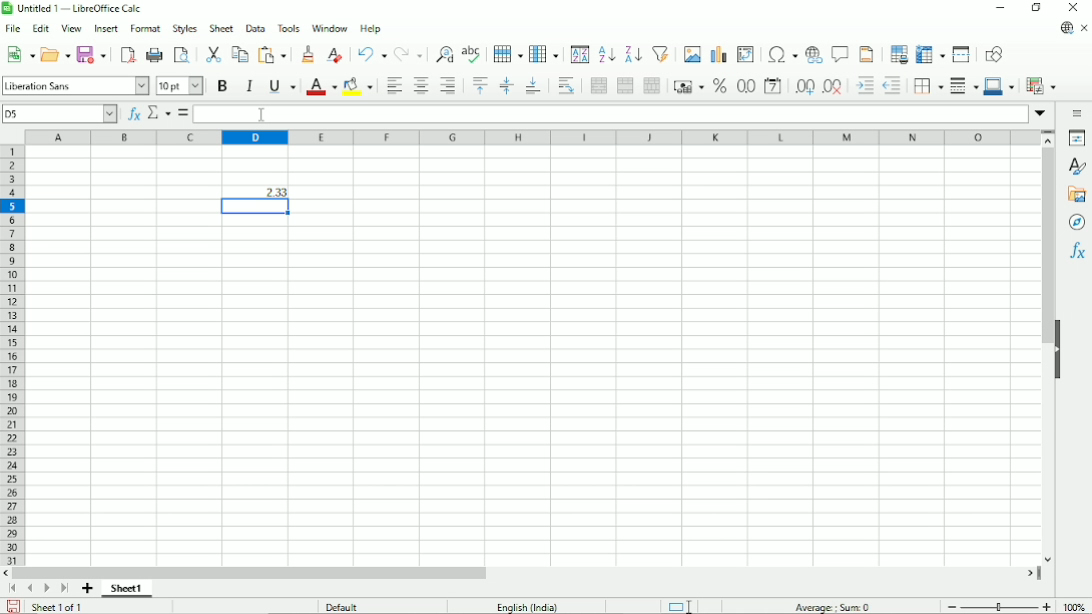 The image size is (1092, 614). I want to click on Show draw functions, so click(995, 53).